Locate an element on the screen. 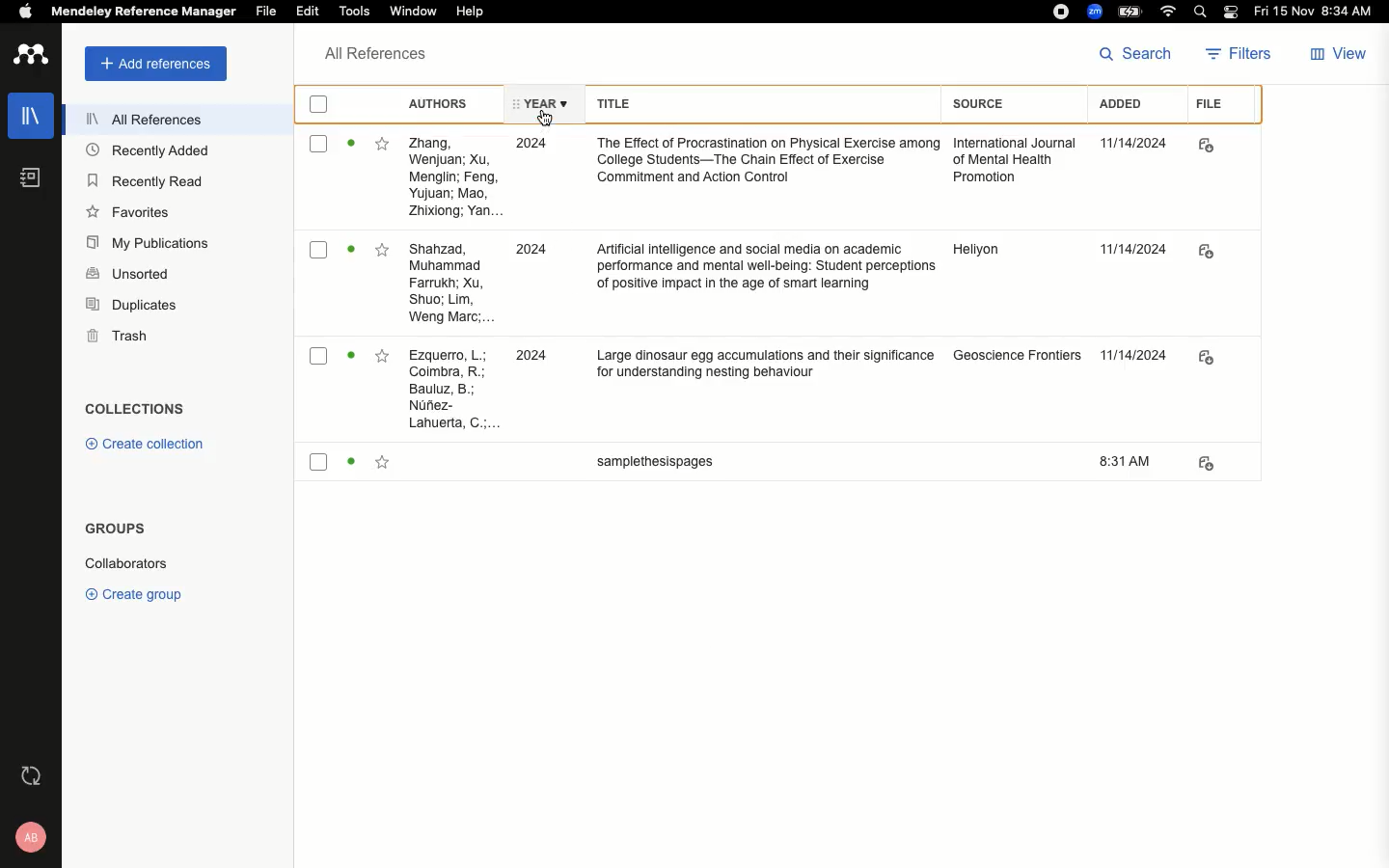 The image size is (1389, 868). Filters is located at coordinates (1239, 53).